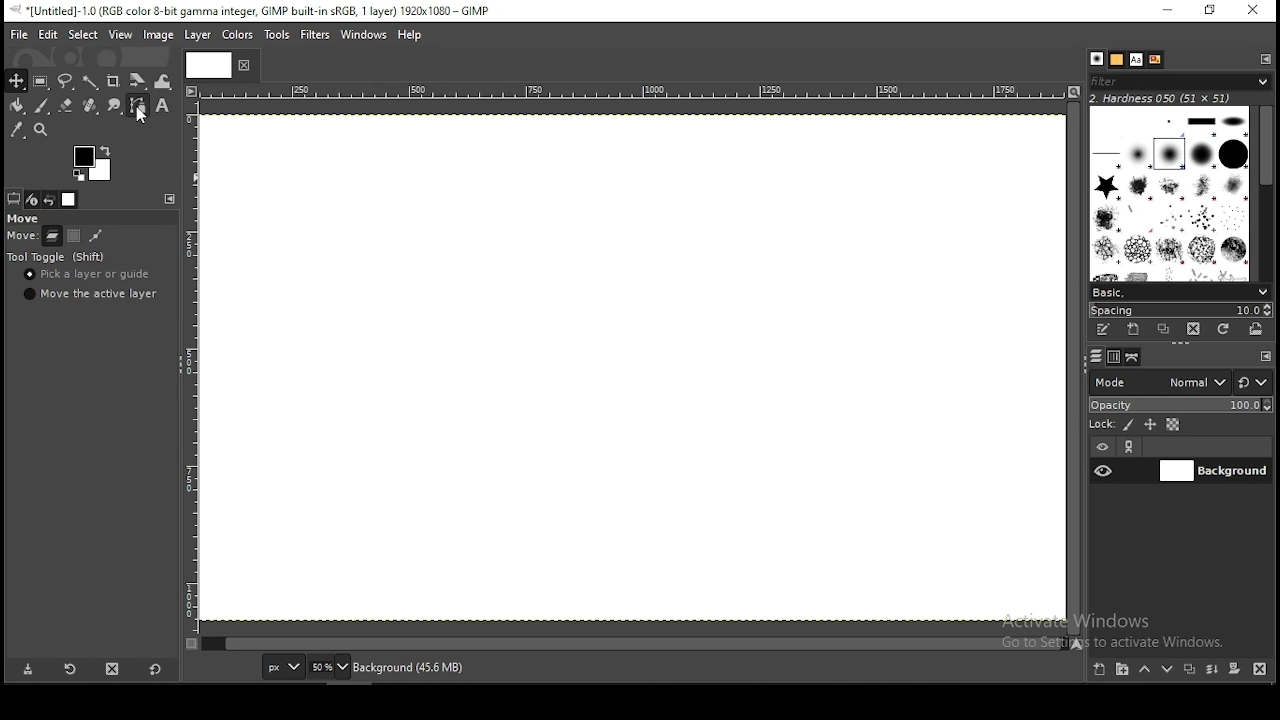 Image resolution: width=1280 pixels, height=720 pixels. What do you see at coordinates (156, 674) in the screenshot?
I see `reset to default values` at bounding box center [156, 674].